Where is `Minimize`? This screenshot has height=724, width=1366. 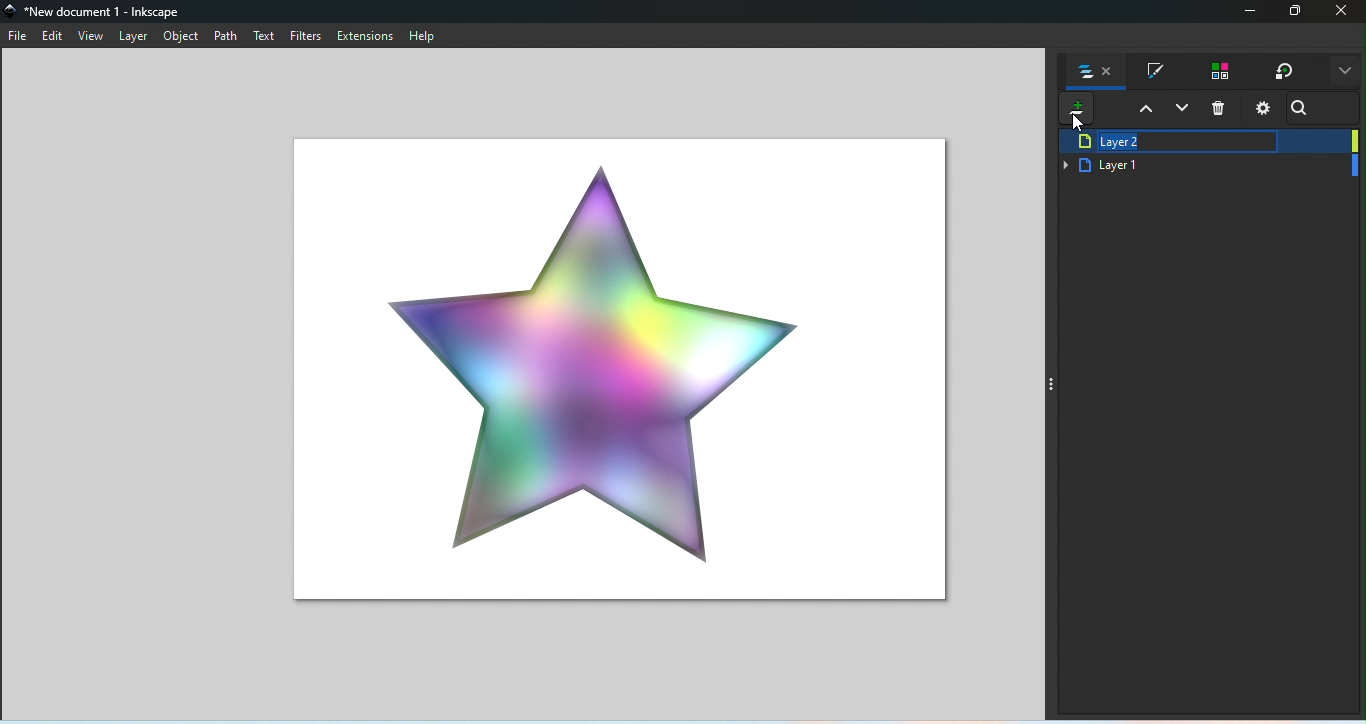 Minimize is located at coordinates (1247, 13).